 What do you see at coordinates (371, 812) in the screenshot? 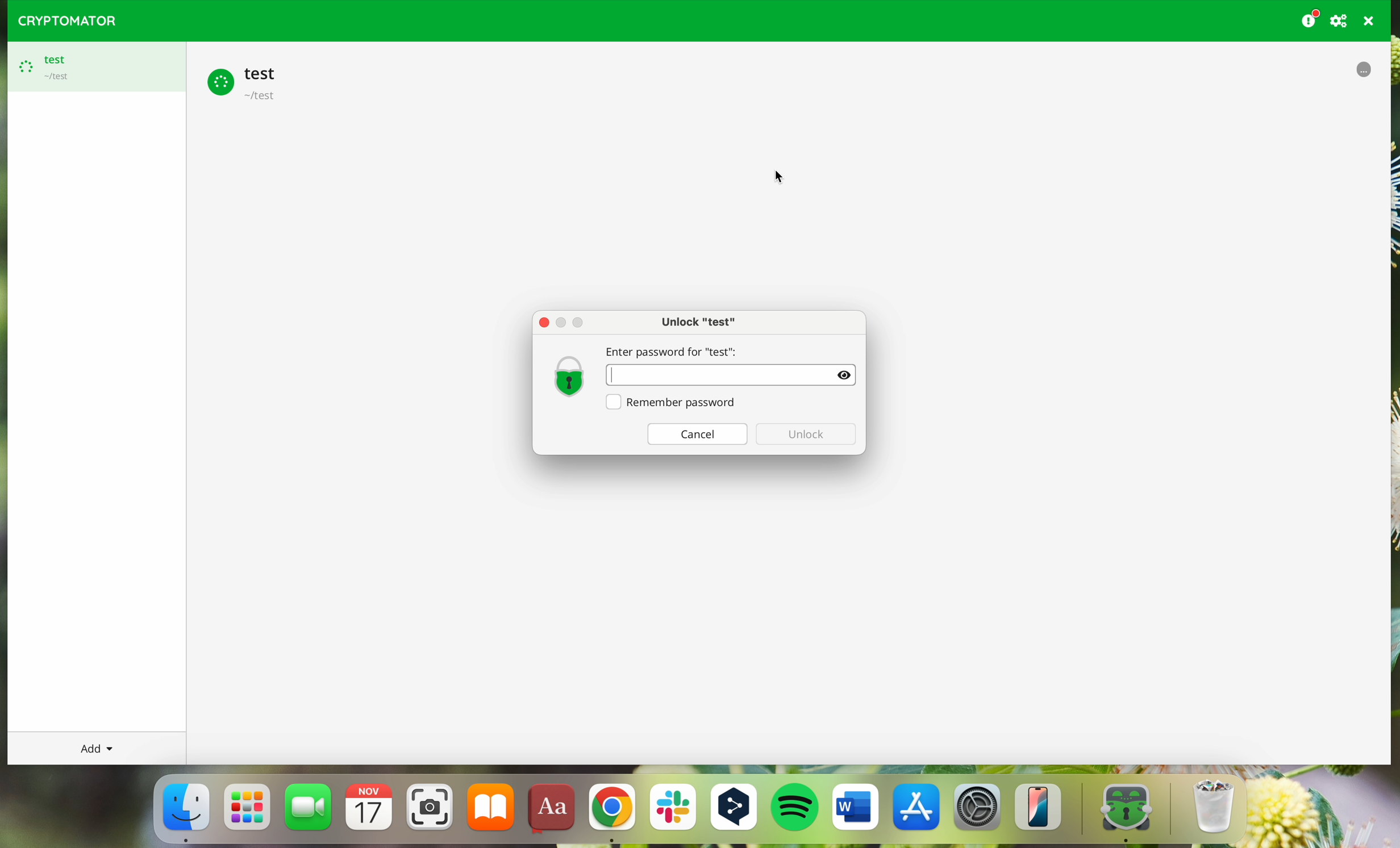
I see `calendar` at bounding box center [371, 812].